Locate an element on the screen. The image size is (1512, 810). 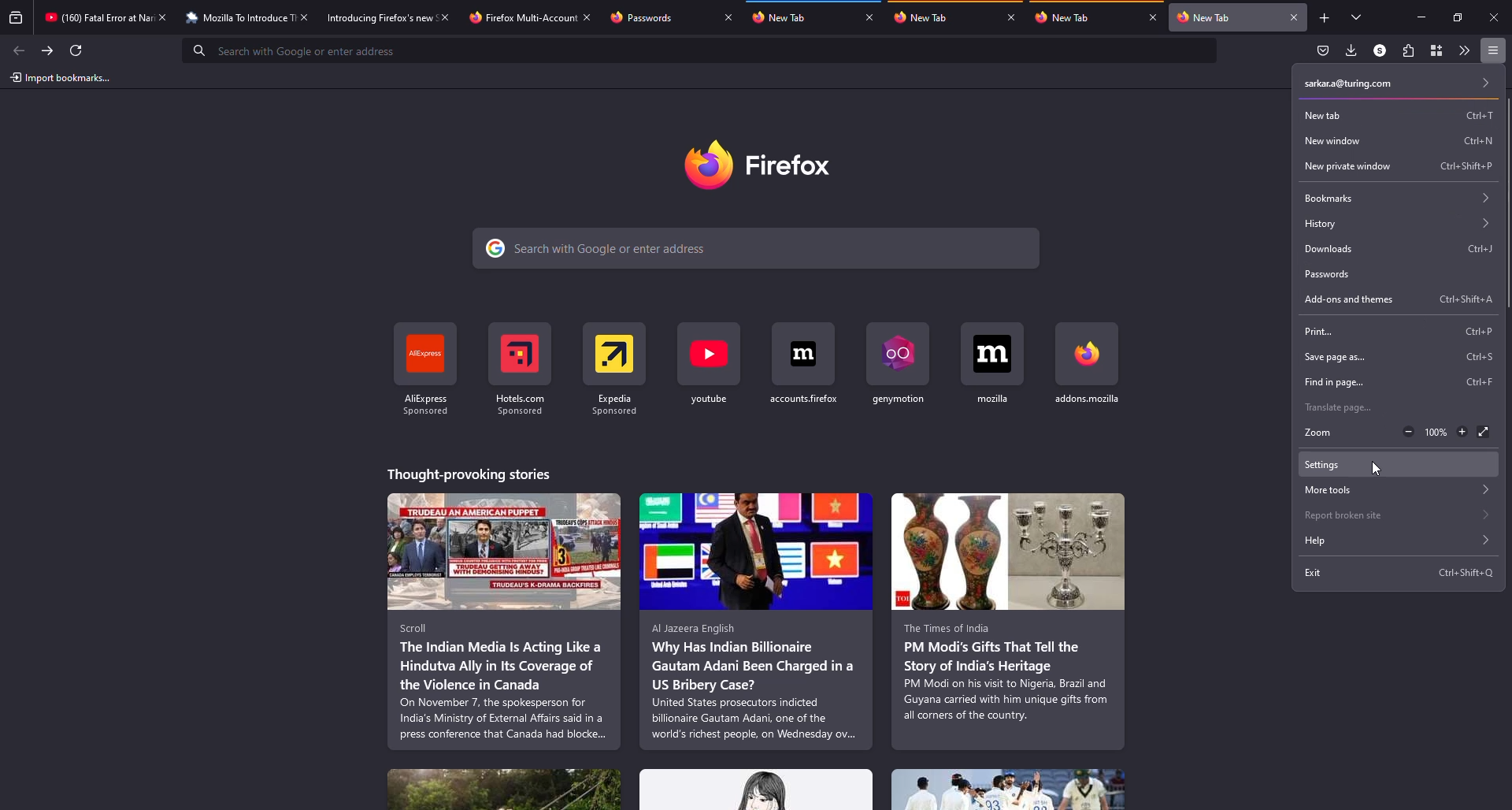
close is located at coordinates (1495, 17).